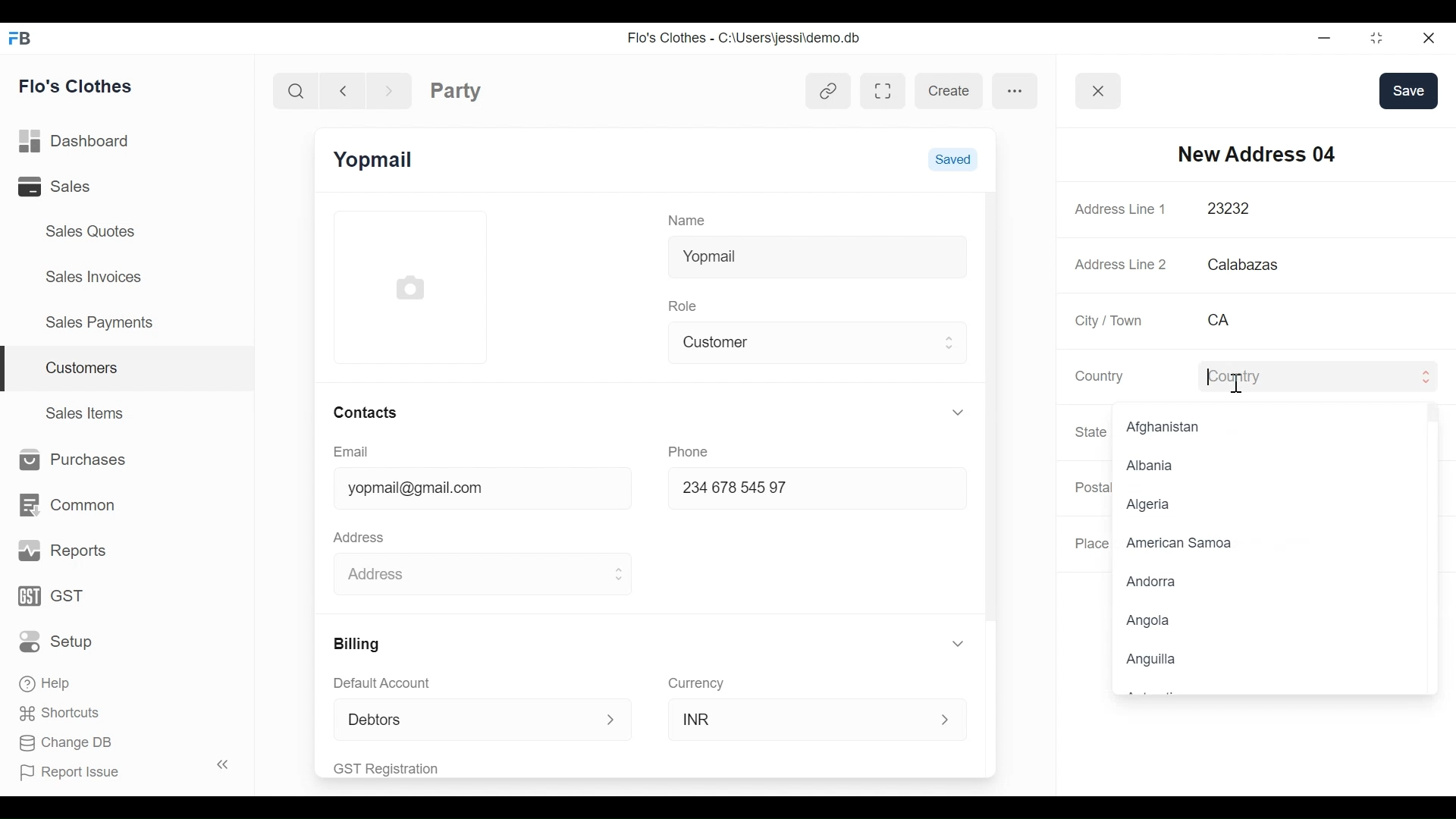 The image size is (1456, 819). Describe the element at coordinates (693, 450) in the screenshot. I see `Phone` at that location.